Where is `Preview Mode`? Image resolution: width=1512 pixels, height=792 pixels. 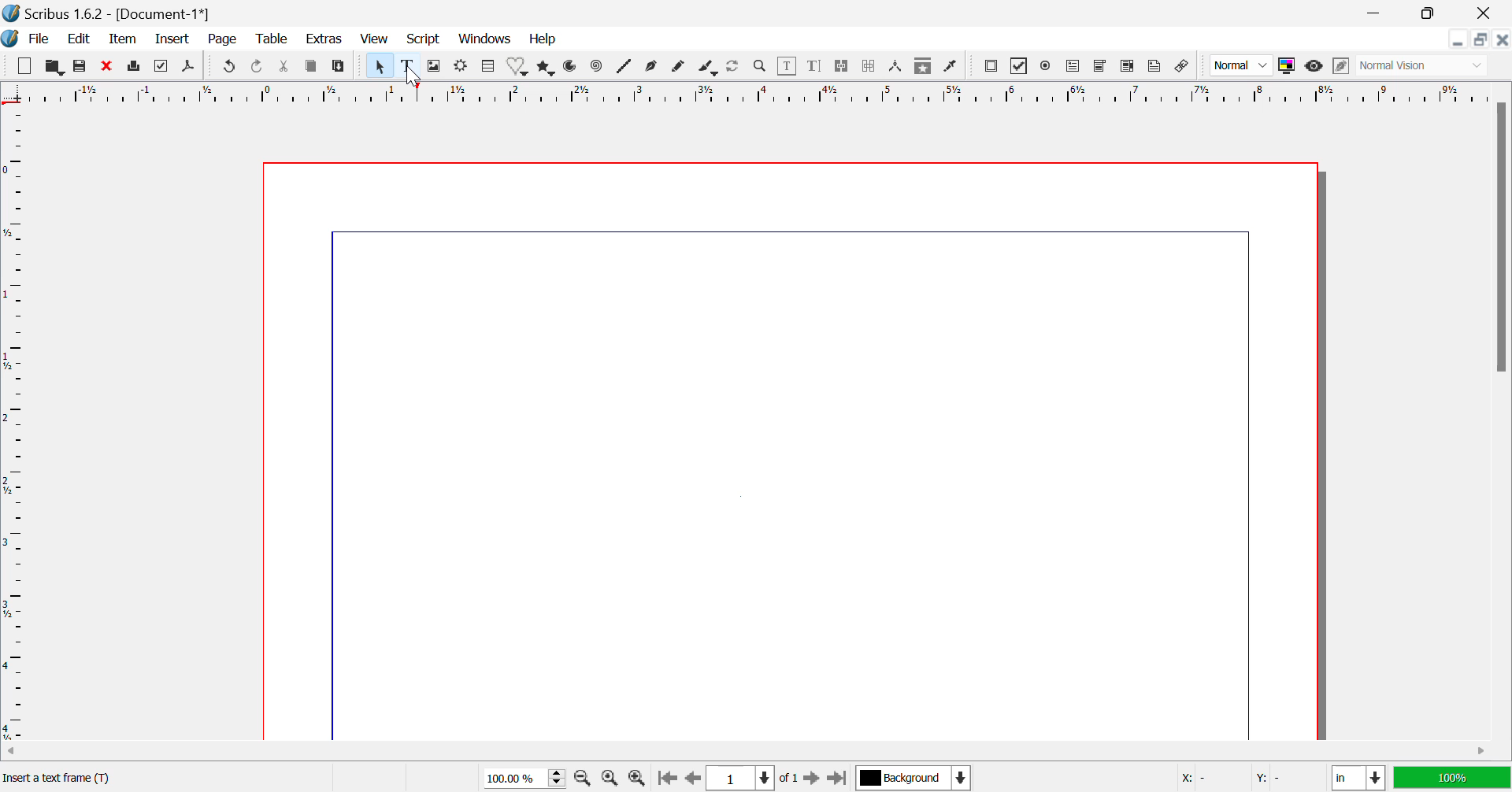
Preview Mode is located at coordinates (1314, 68).